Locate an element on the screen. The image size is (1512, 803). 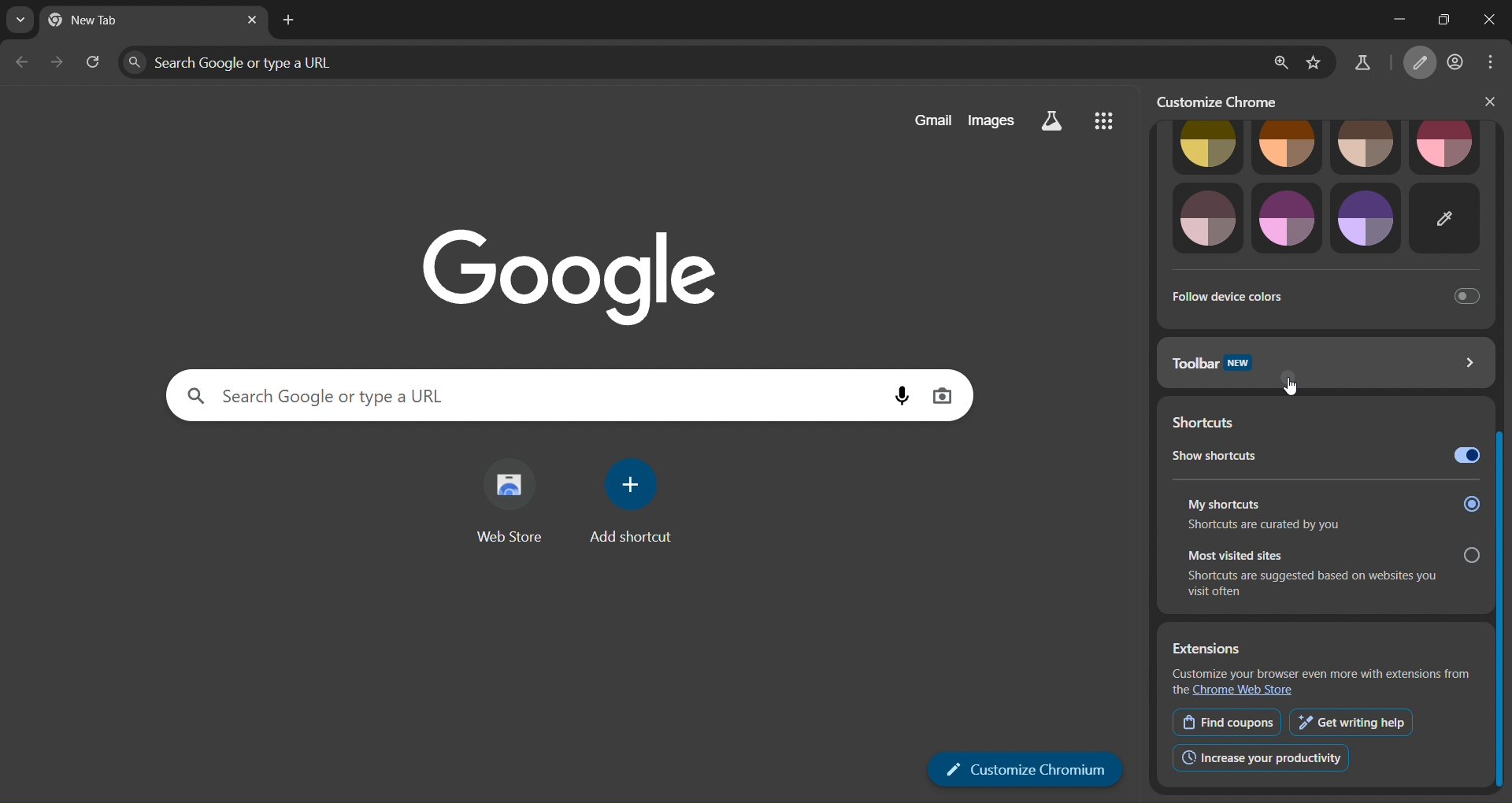
search tabs is located at coordinates (17, 20).